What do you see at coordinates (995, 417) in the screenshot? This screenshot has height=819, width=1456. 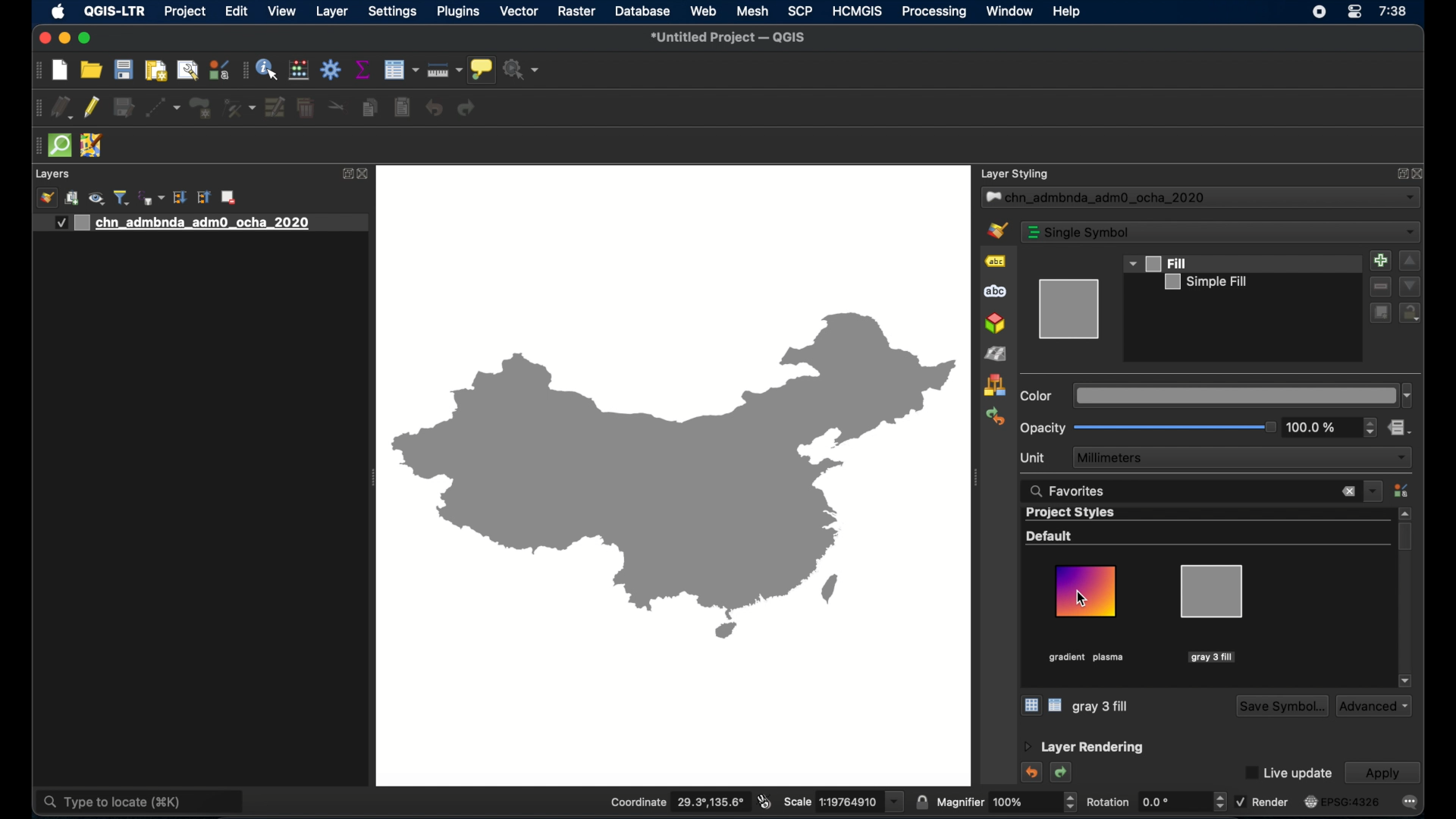 I see `history` at bounding box center [995, 417].